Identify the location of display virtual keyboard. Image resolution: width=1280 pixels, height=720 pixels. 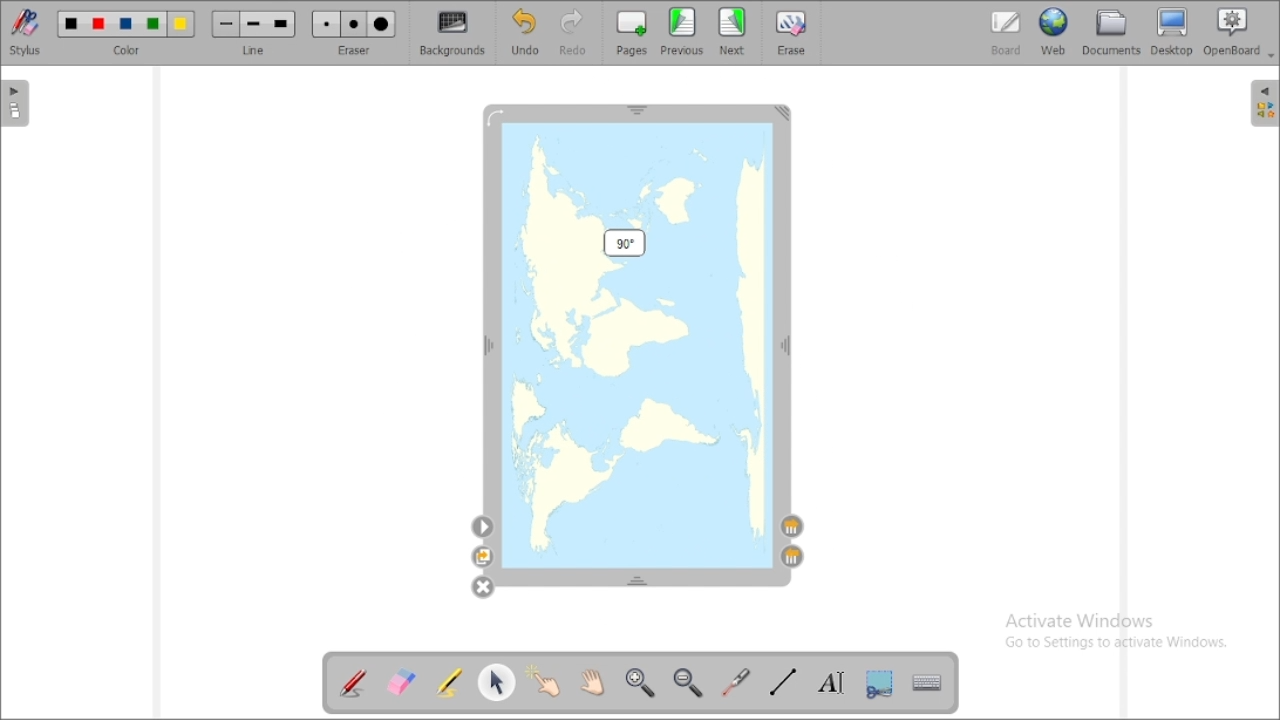
(926, 682).